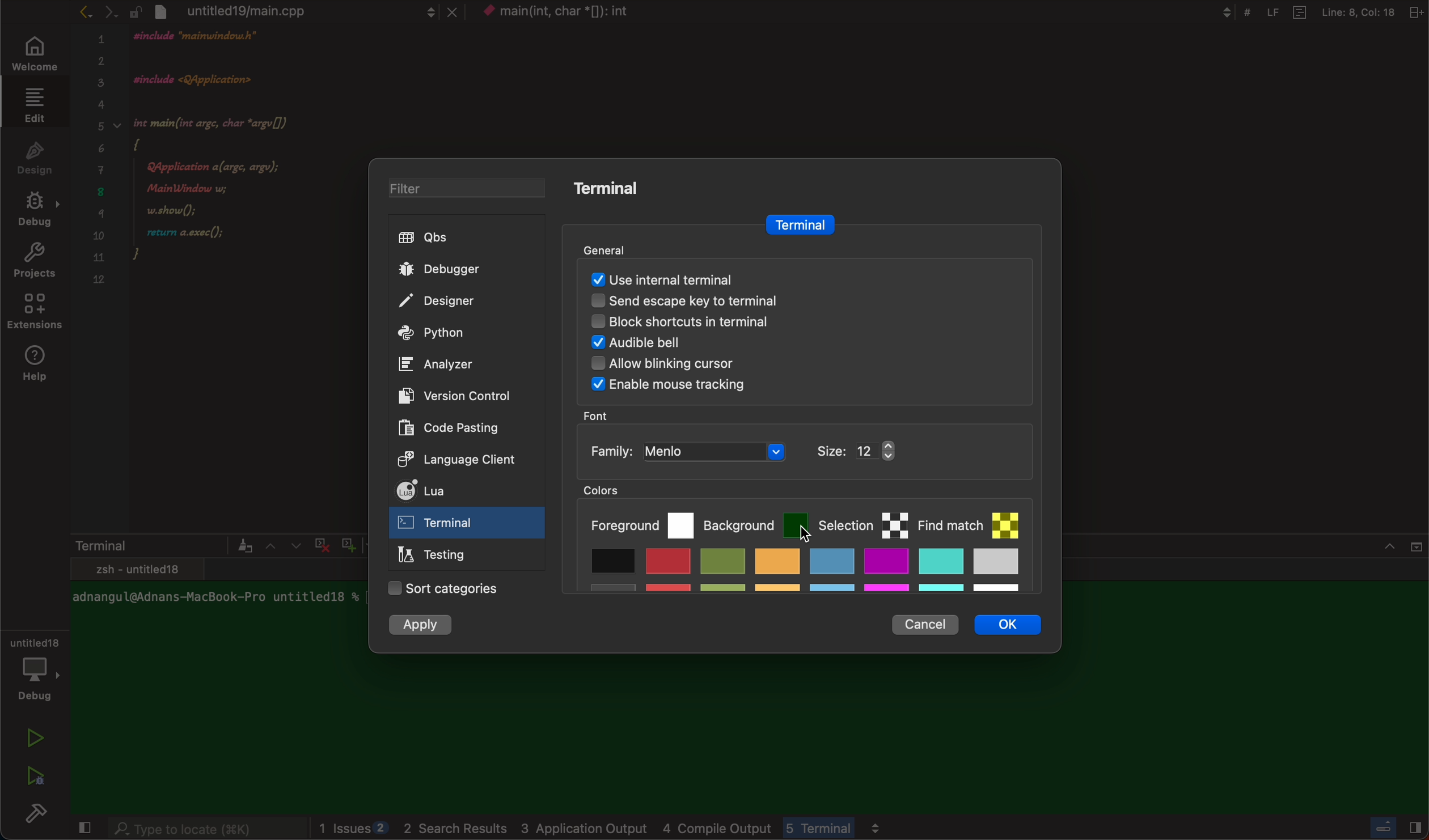 This screenshot has width=1429, height=840. What do you see at coordinates (161, 545) in the screenshot?
I see `terminal` at bounding box center [161, 545].